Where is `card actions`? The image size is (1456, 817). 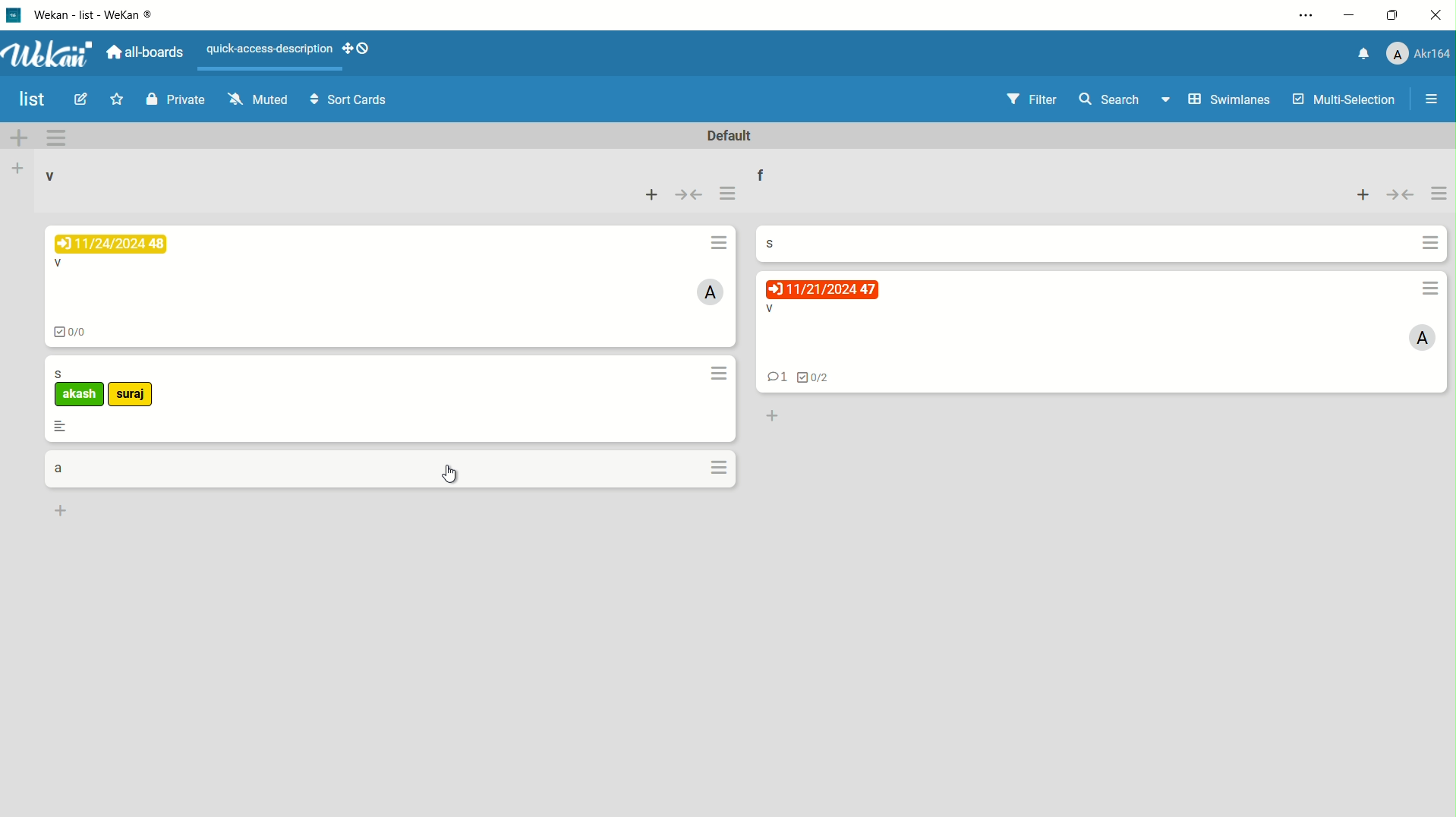
card actions is located at coordinates (1428, 243).